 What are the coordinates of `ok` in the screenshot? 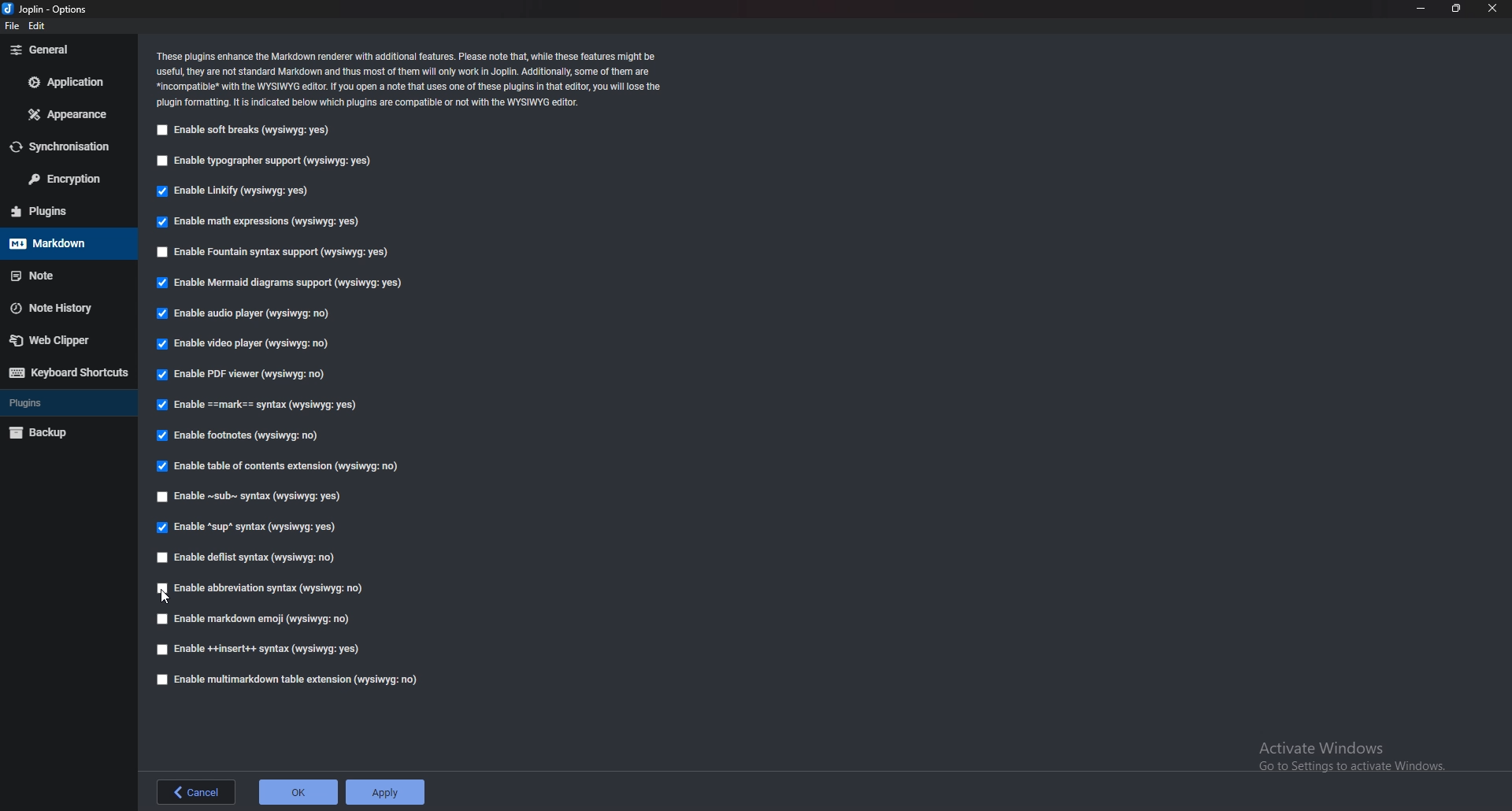 It's located at (296, 790).